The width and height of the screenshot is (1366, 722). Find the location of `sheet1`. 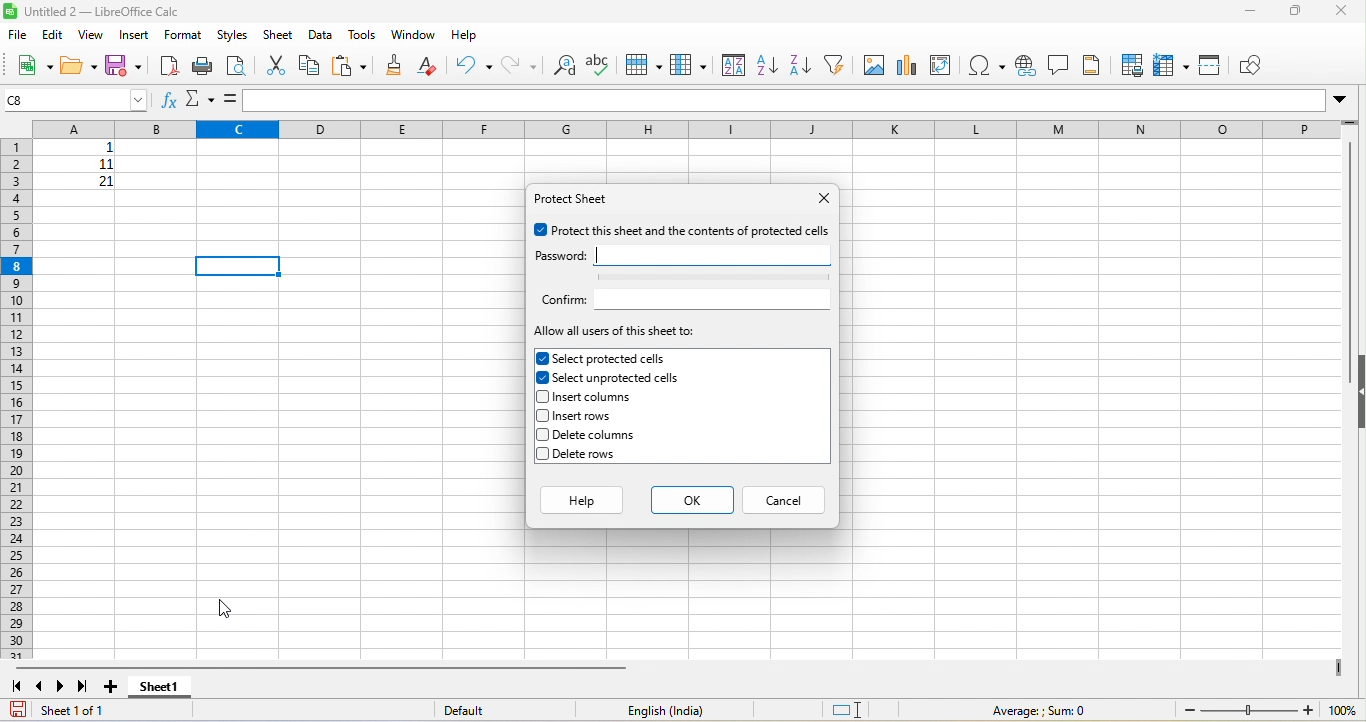

sheet1 is located at coordinates (180, 687).